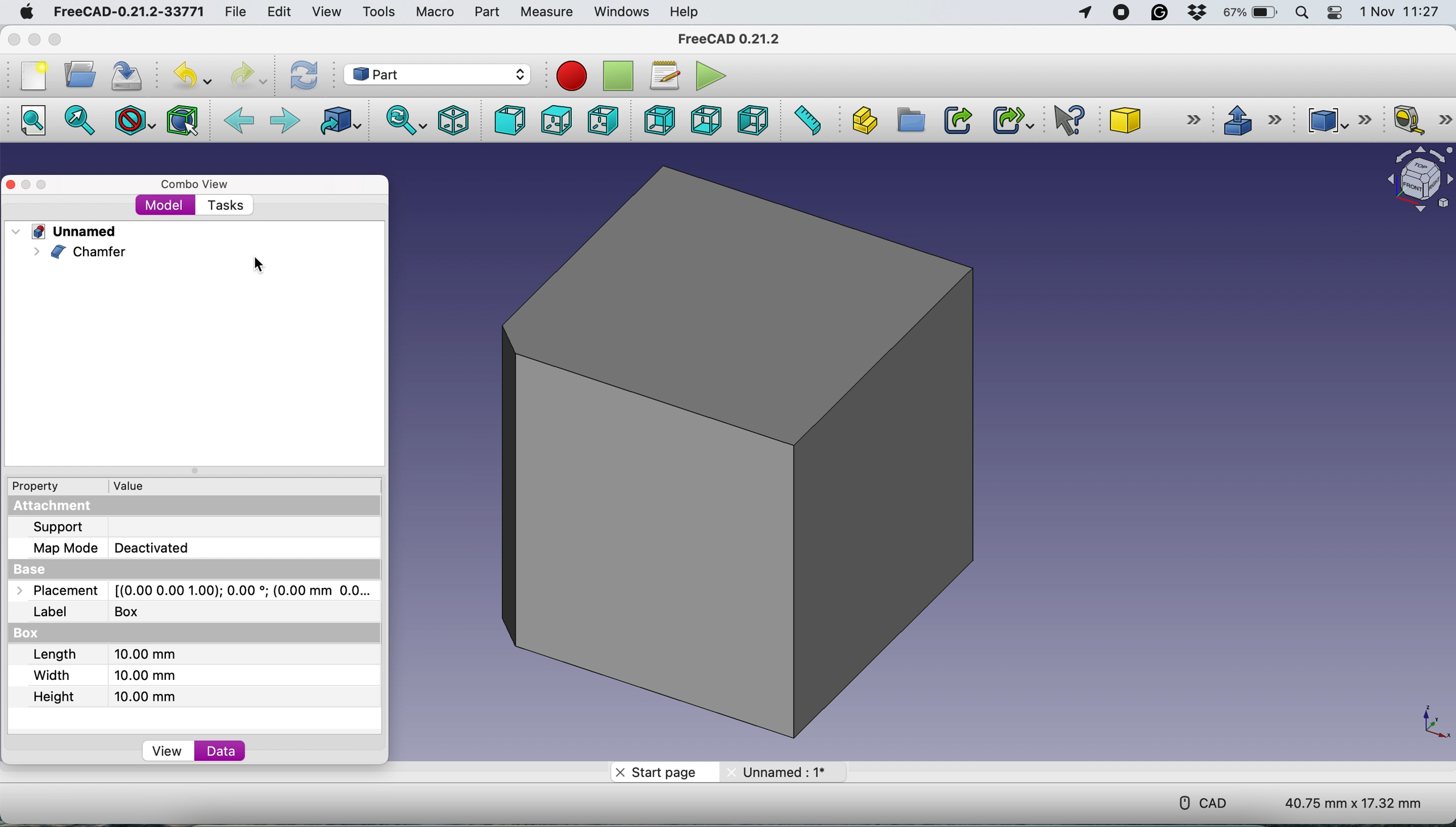  What do you see at coordinates (101, 696) in the screenshot?
I see `height` at bounding box center [101, 696].